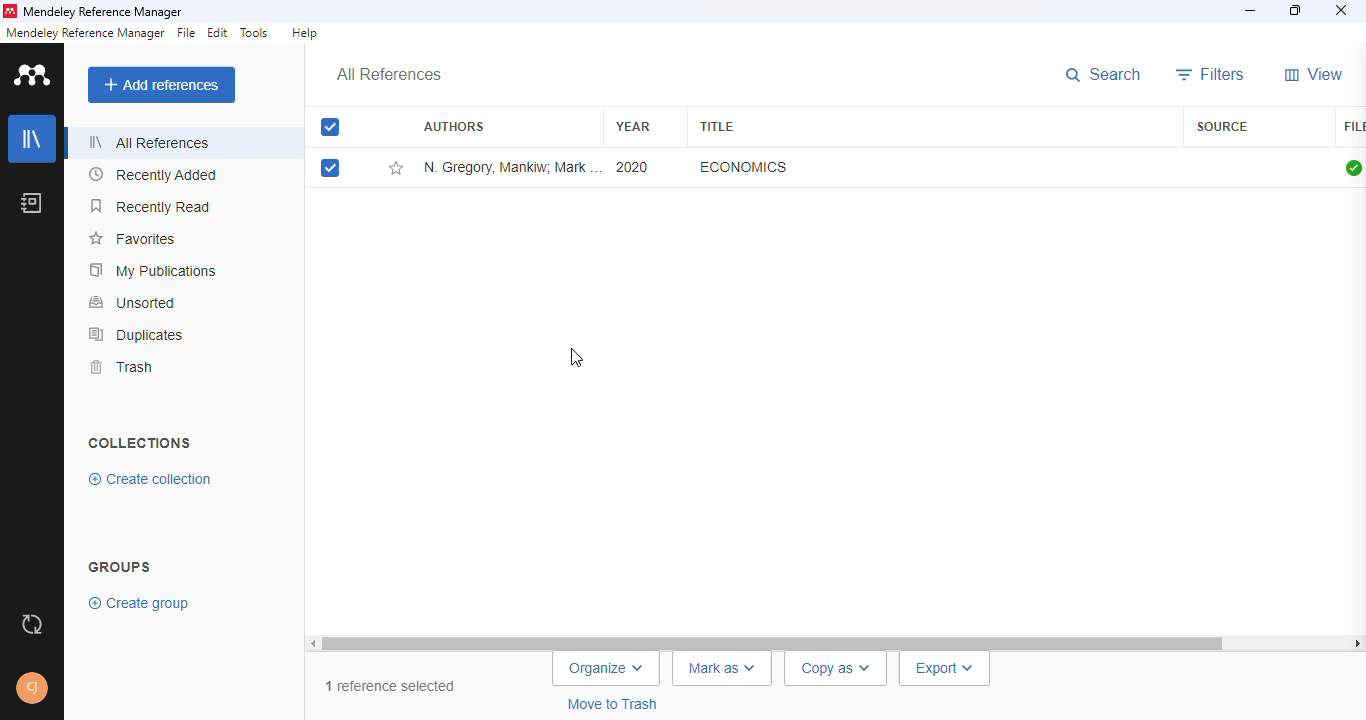  Describe the element at coordinates (10, 11) in the screenshot. I see `logo` at that location.